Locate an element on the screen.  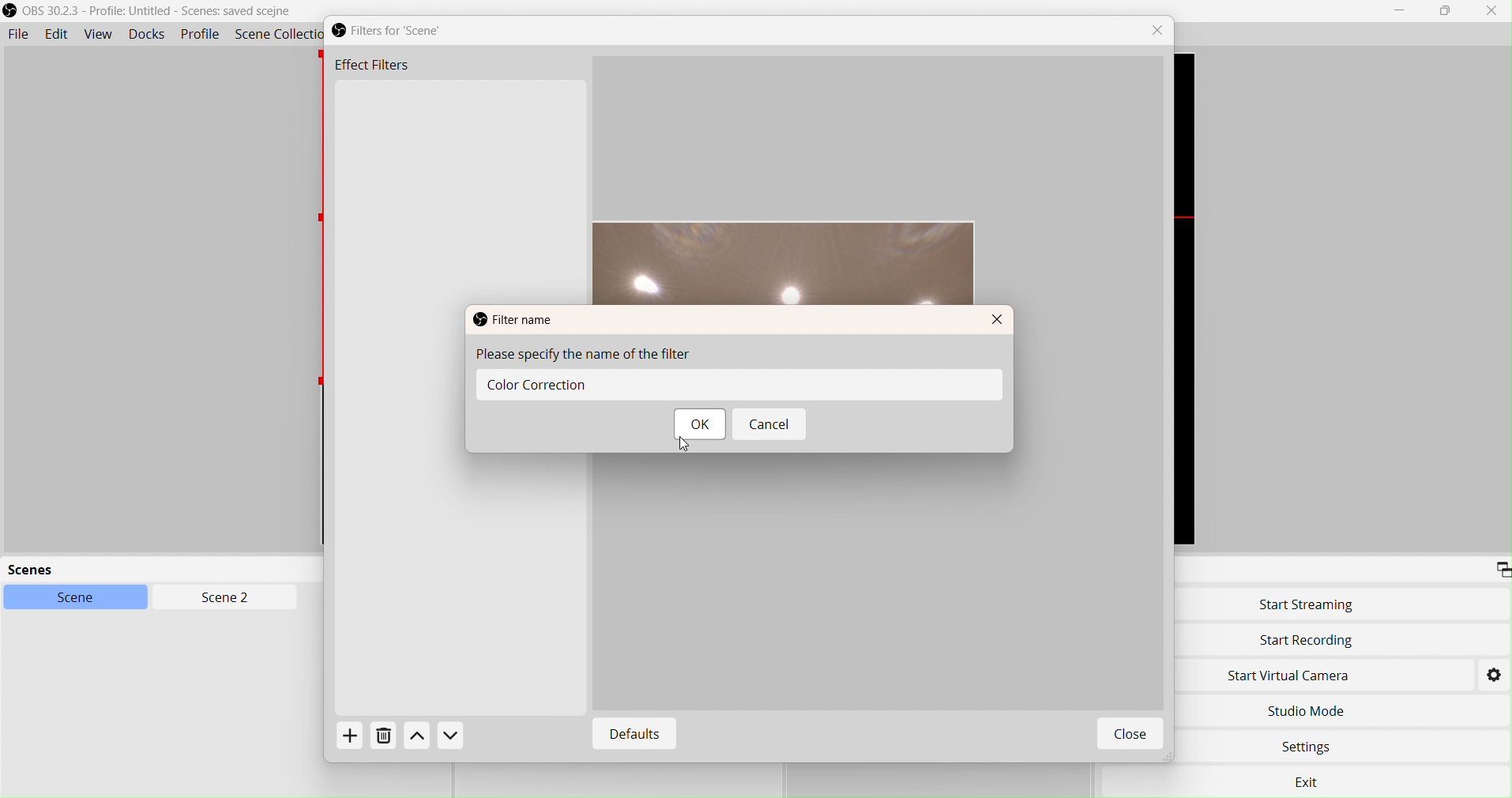
Start Virtual Camera is located at coordinates (1299, 675).